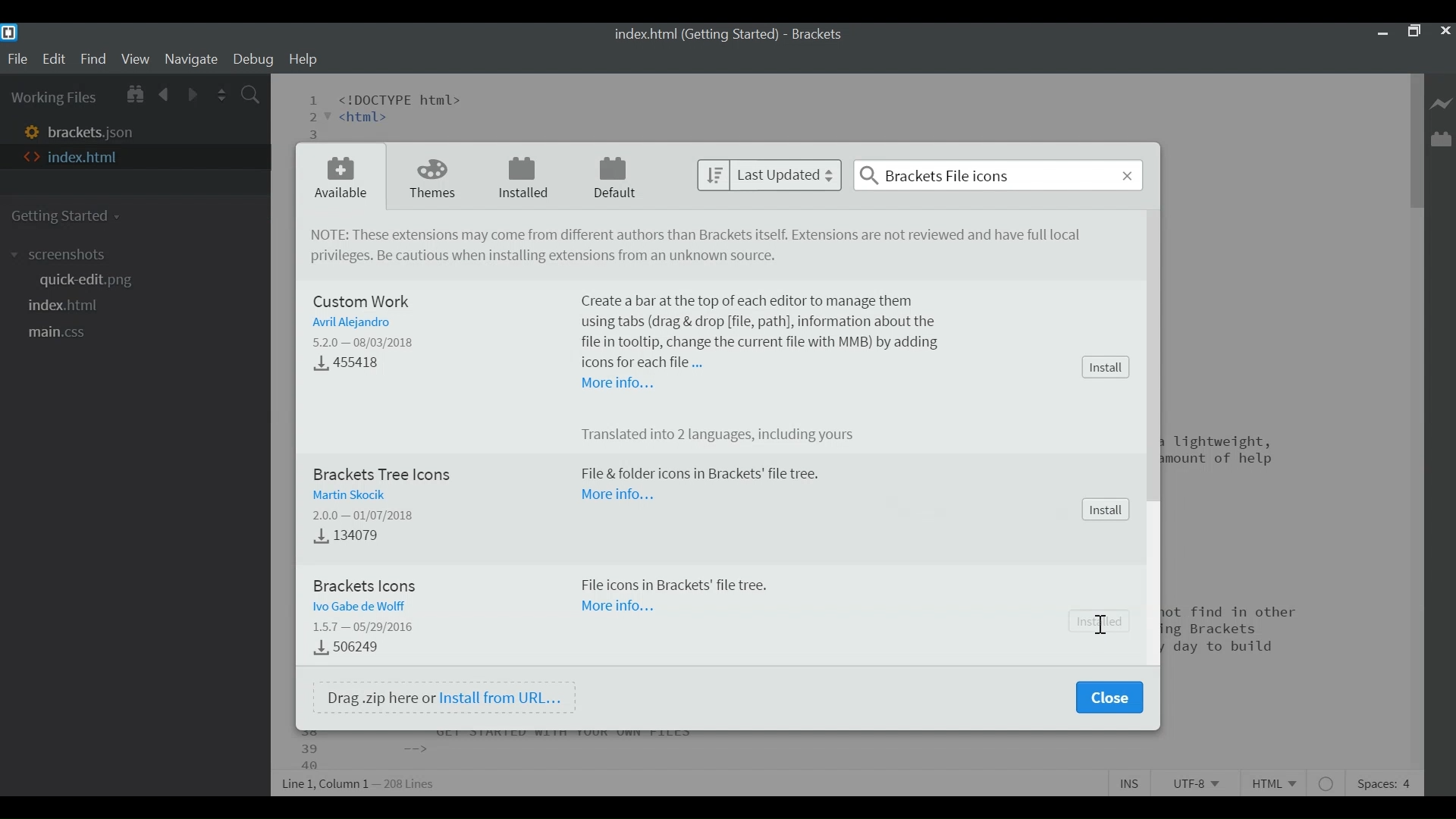  I want to click on Toggle Insert or Overwrite, so click(1131, 783).